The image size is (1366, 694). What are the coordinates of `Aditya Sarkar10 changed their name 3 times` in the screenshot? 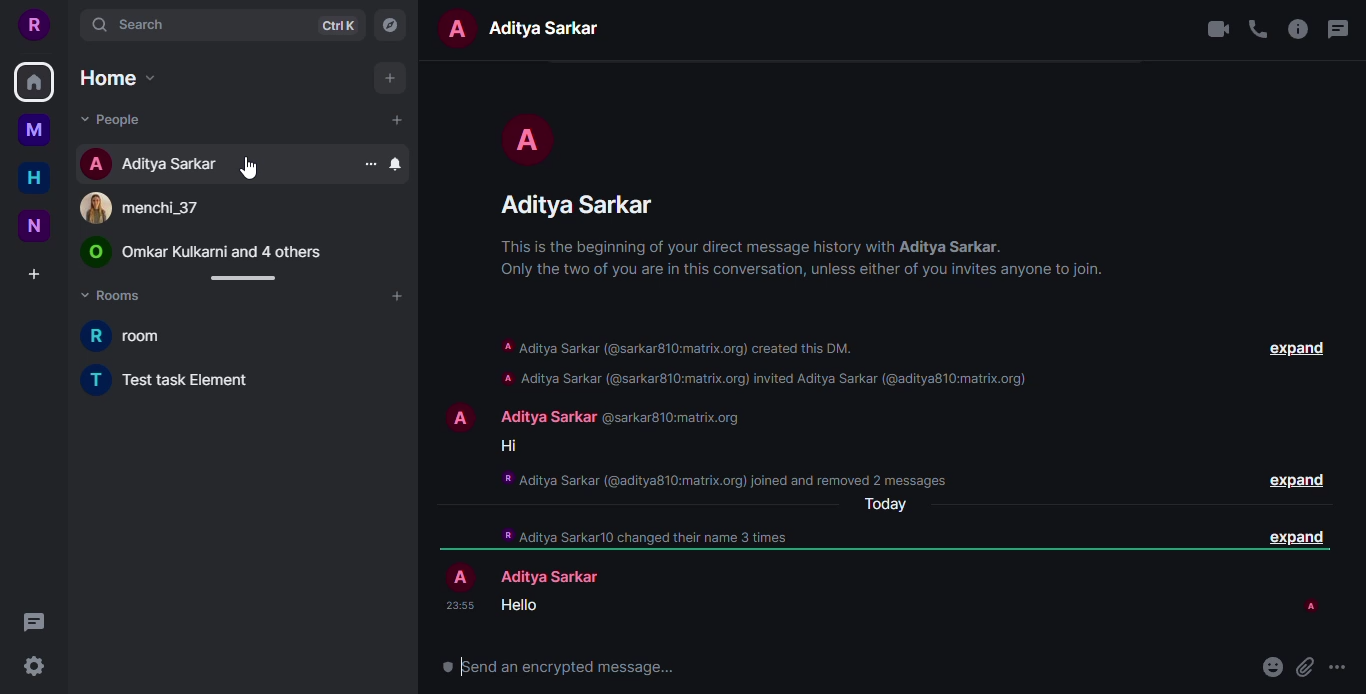 It's located at (645, 537).